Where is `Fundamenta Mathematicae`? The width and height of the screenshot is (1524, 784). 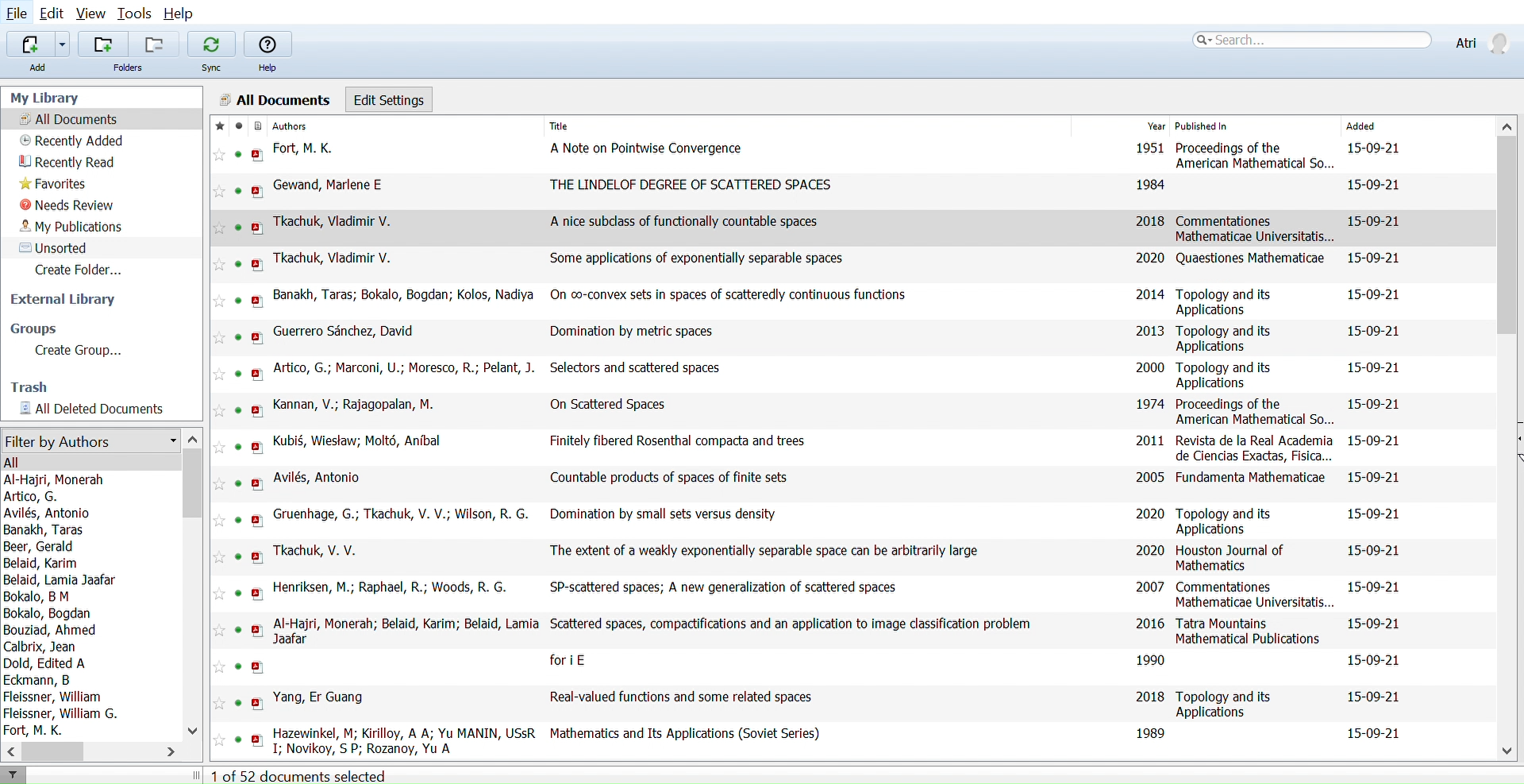 Fundamenta Mathematicae is located at coordinates (1250, 476).